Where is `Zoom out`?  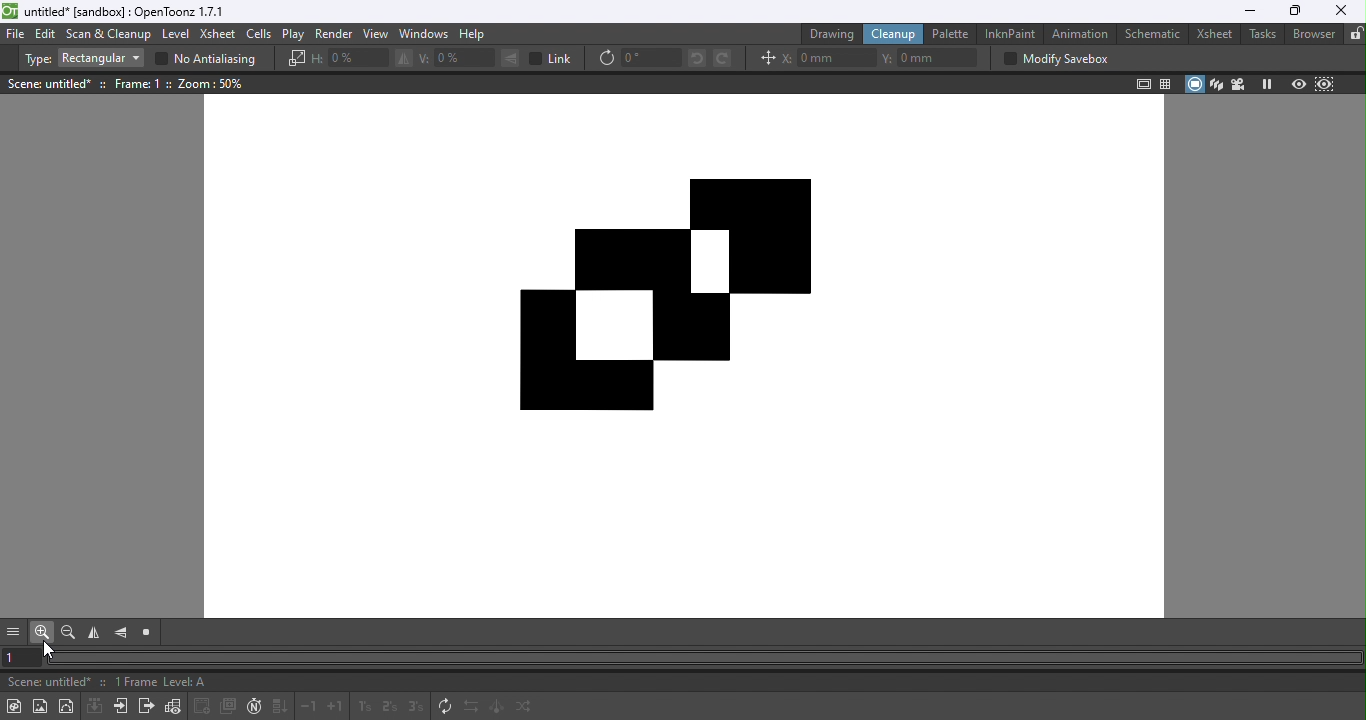
Zoom out is located at coordinates (68, 633).